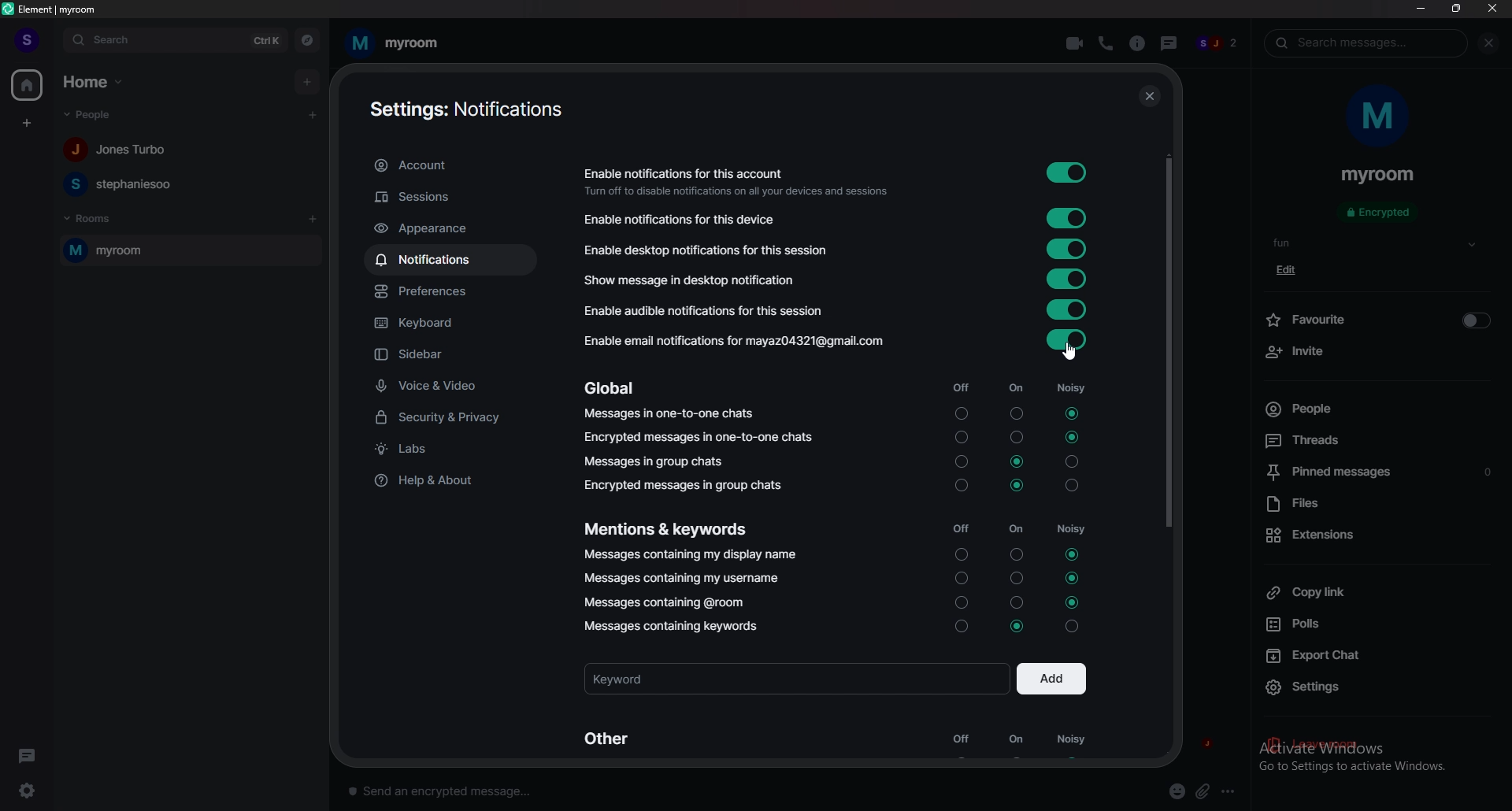 Image resolution: width=1512 pixels, height=811 pixels. What do you see at coordinates (1136, 43) in the screenshot?
I see `info` at bounding box center [1136, 43].